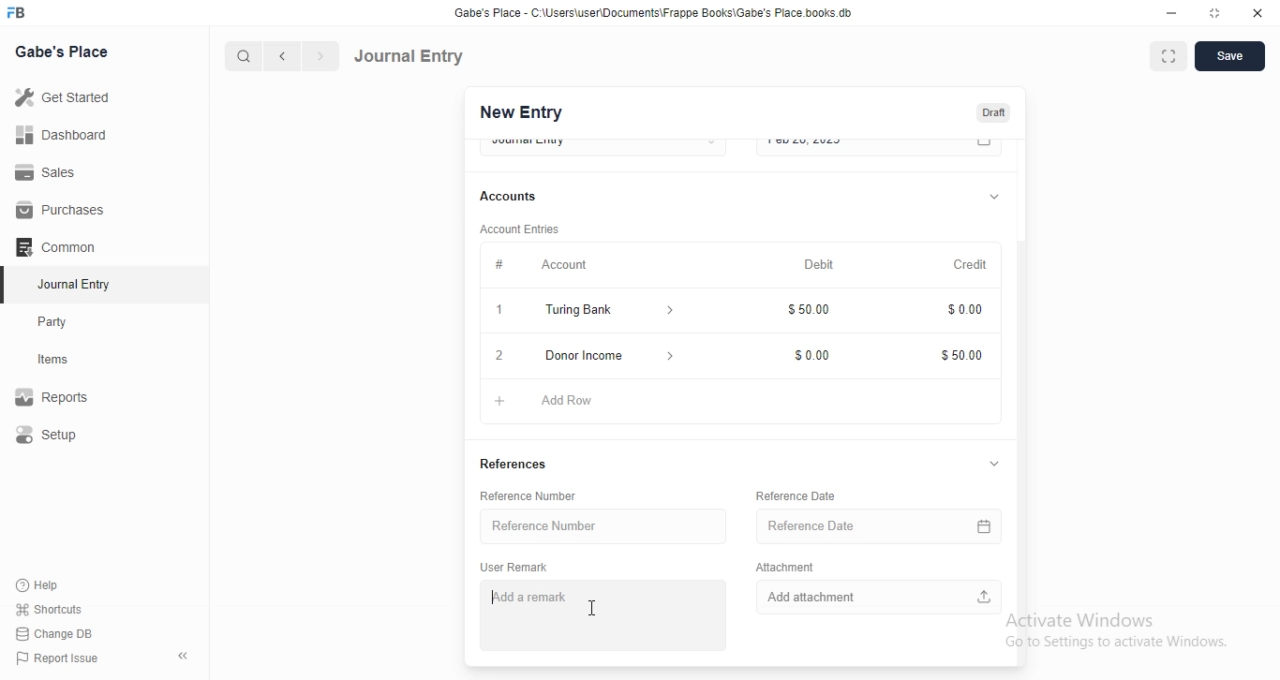  I want to click on donor income, so click(606, 354).